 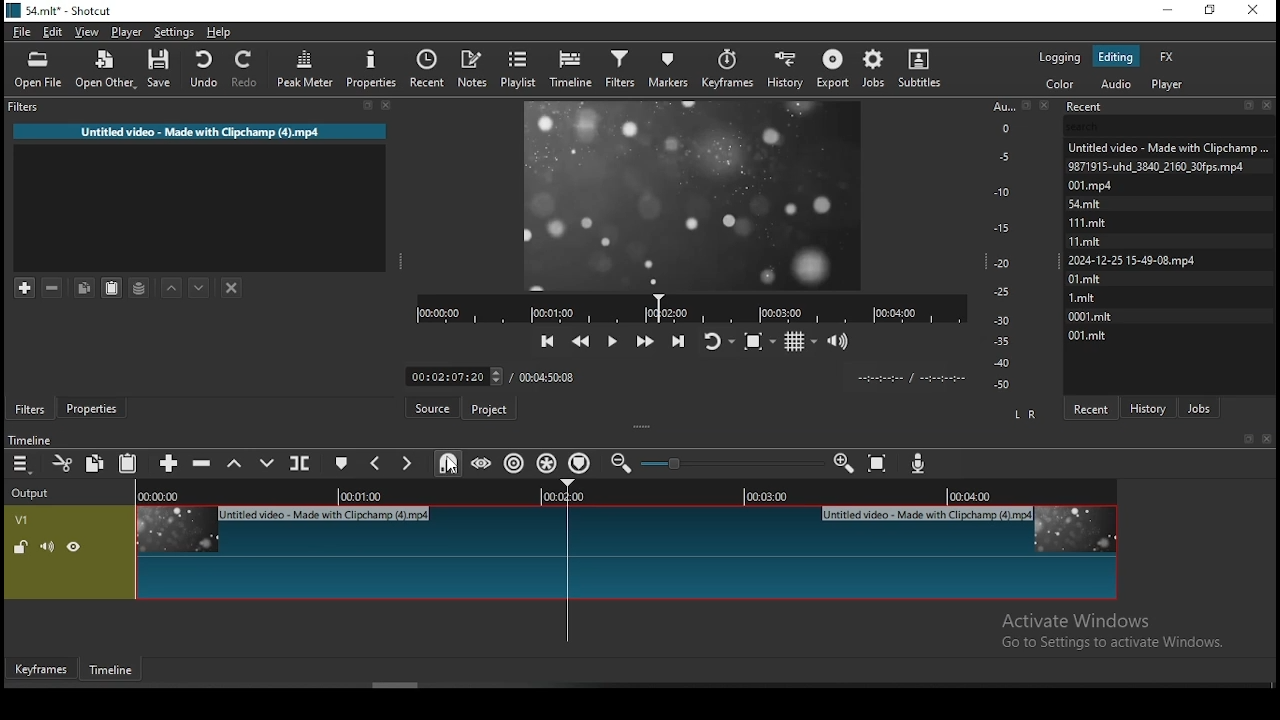 I want to click on color, so click(x=1063, y=83).